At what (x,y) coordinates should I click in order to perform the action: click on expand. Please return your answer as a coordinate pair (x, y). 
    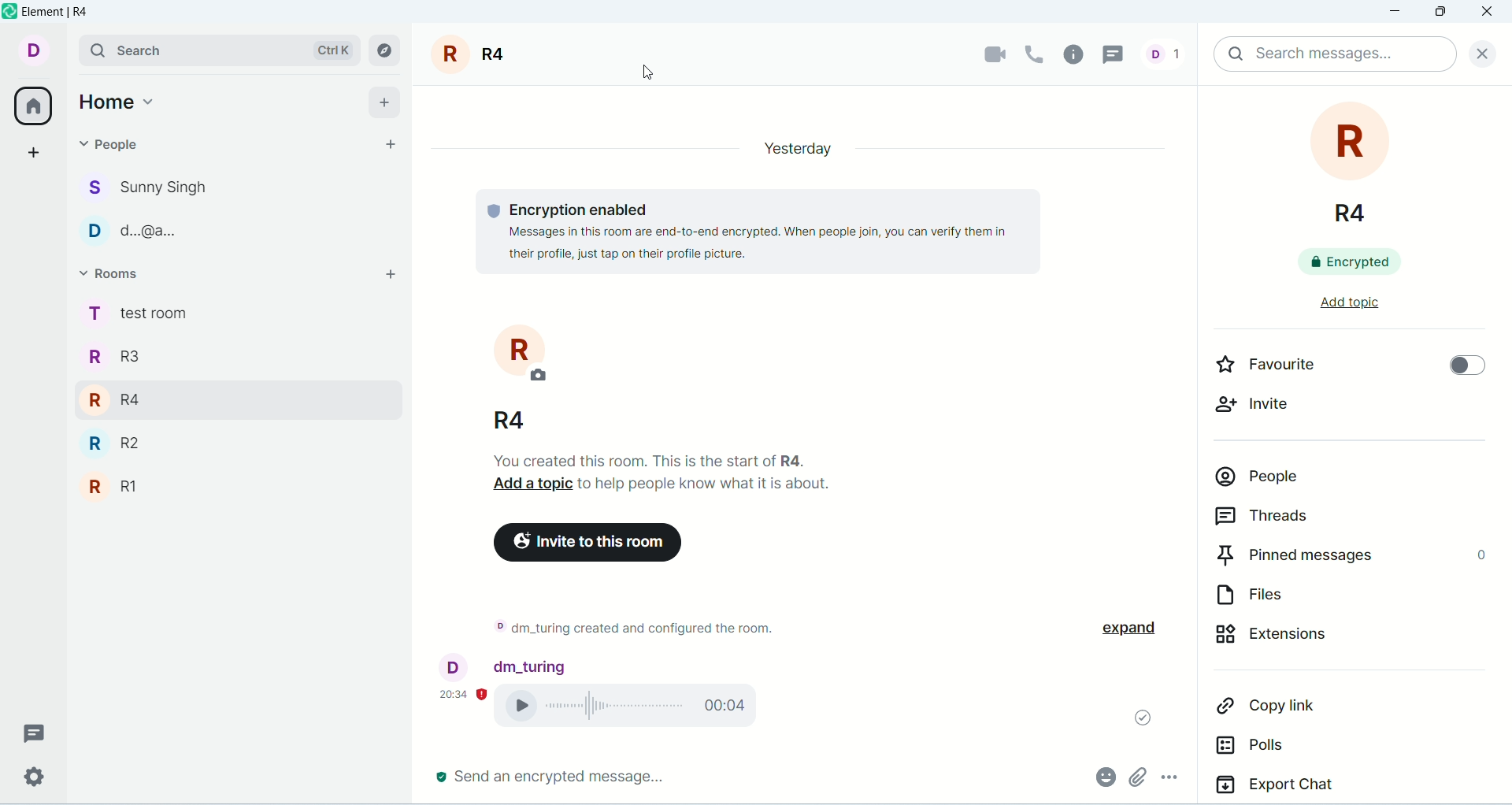
    Looking at the image, I should click on (1140, 629).